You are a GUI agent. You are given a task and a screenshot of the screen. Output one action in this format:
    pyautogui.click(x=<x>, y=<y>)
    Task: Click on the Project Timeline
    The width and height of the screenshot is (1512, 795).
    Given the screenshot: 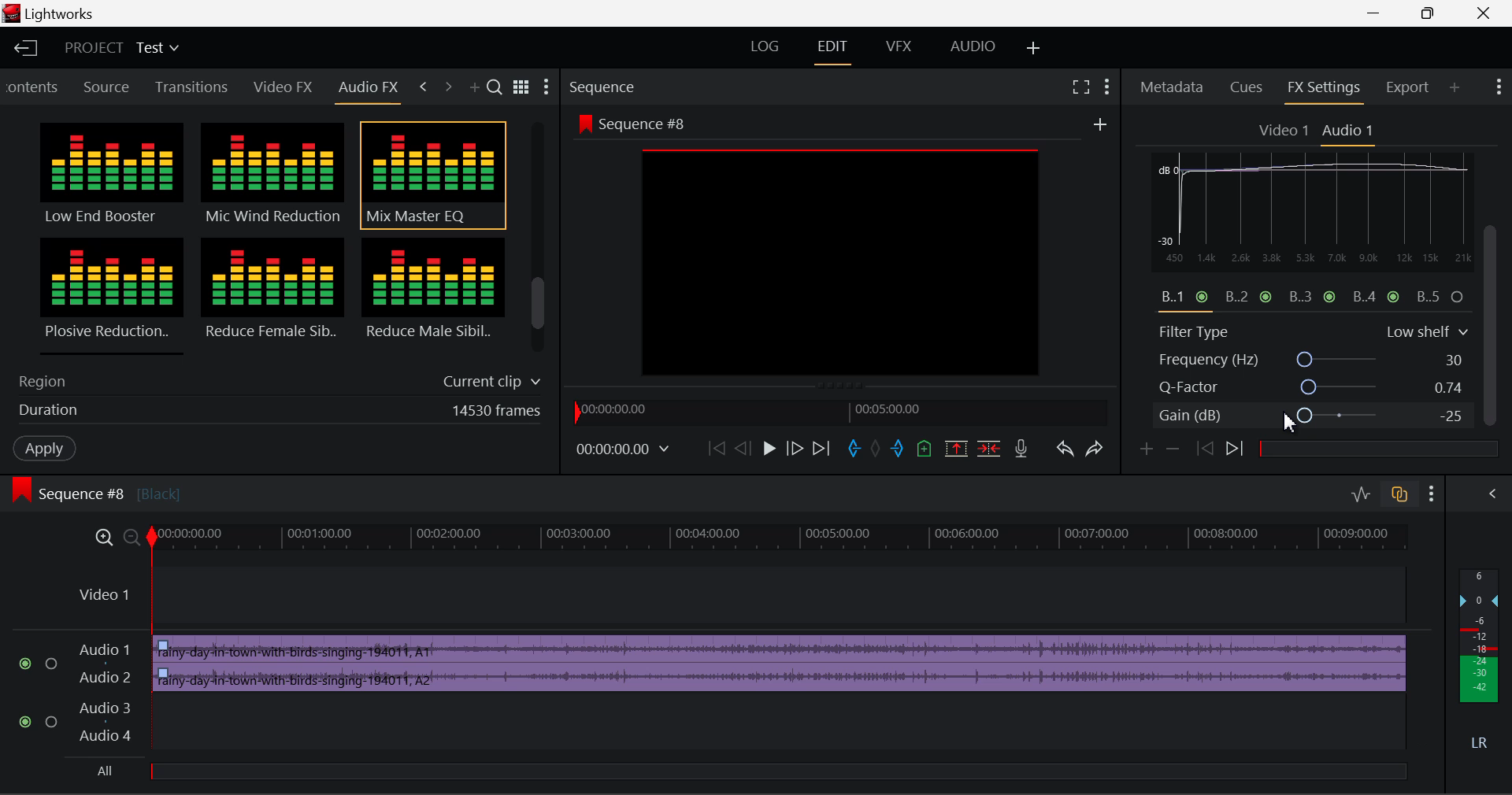 What is the action you would take?
    pyautogui.click(x=783, y=539)
    